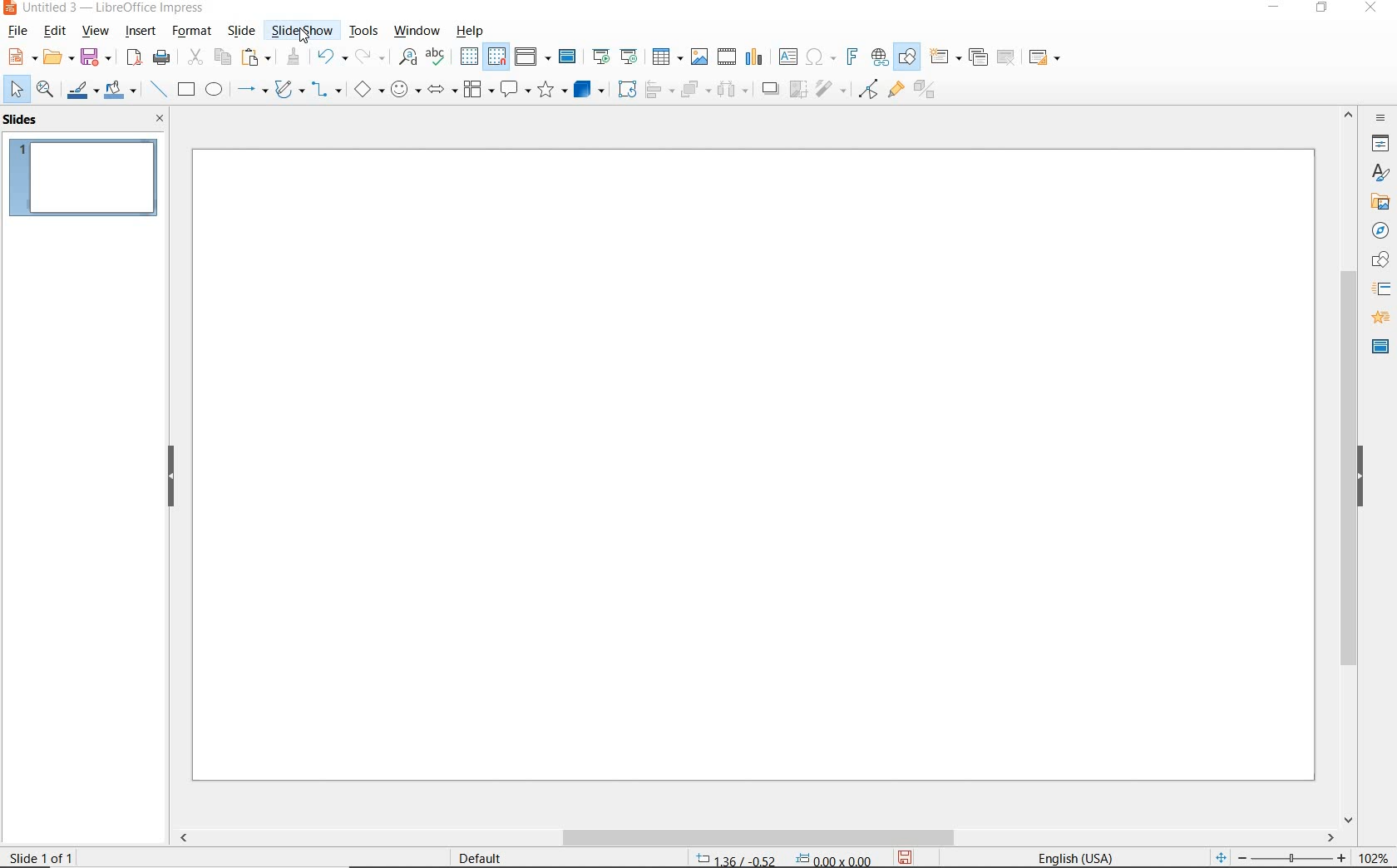 Image resolution: width=1397 pixels, height=868 pixels. I want to click on PROPERTIES, so click(1380, 145).